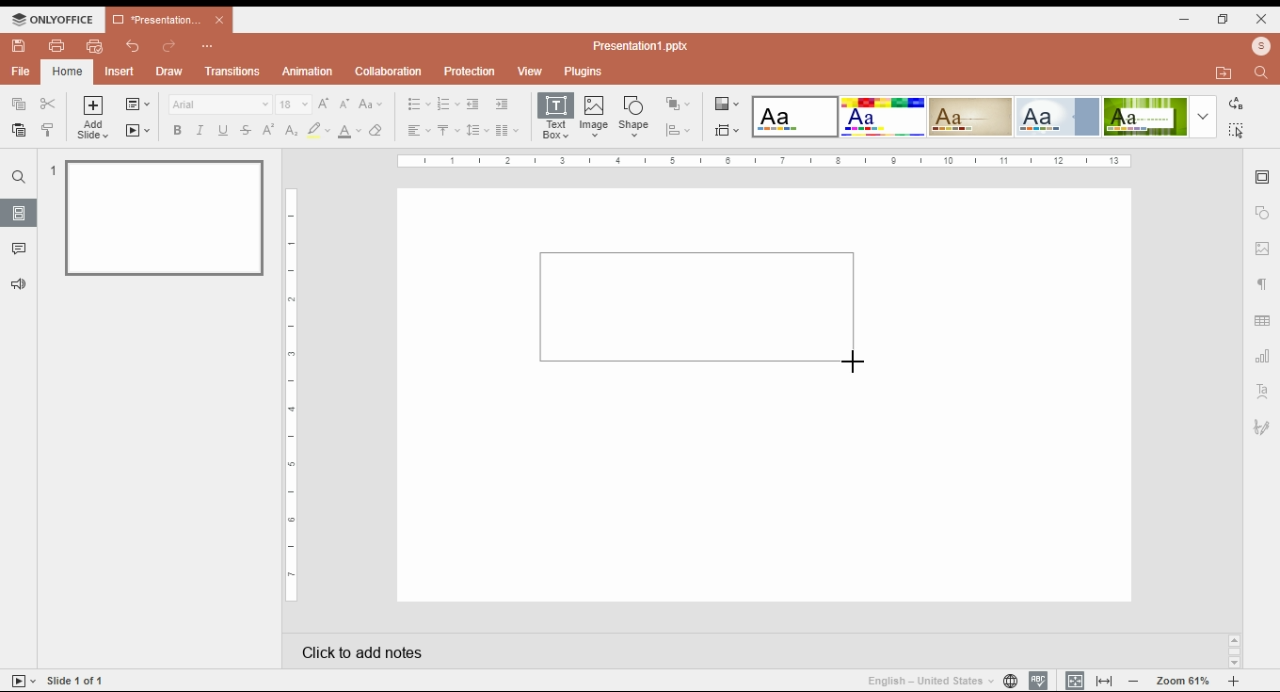 The height and width of the screenshot is (692, 1280). What do you see at coordinates (389, 73) in the screenshot?
I see `collaboration` at bounding box center [389, 73].